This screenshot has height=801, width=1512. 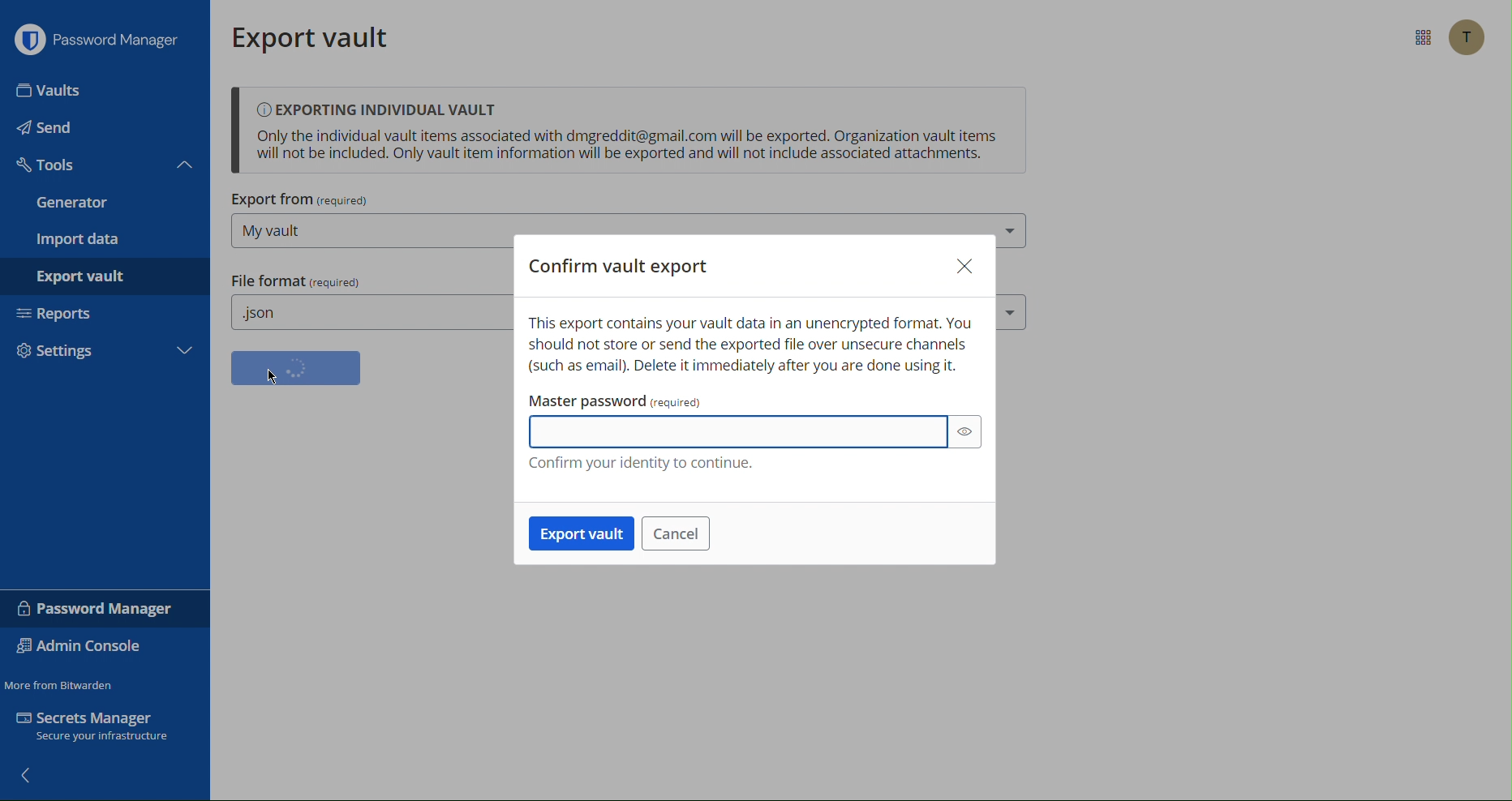 I want to click on Master password, so click(x=758, y=399).